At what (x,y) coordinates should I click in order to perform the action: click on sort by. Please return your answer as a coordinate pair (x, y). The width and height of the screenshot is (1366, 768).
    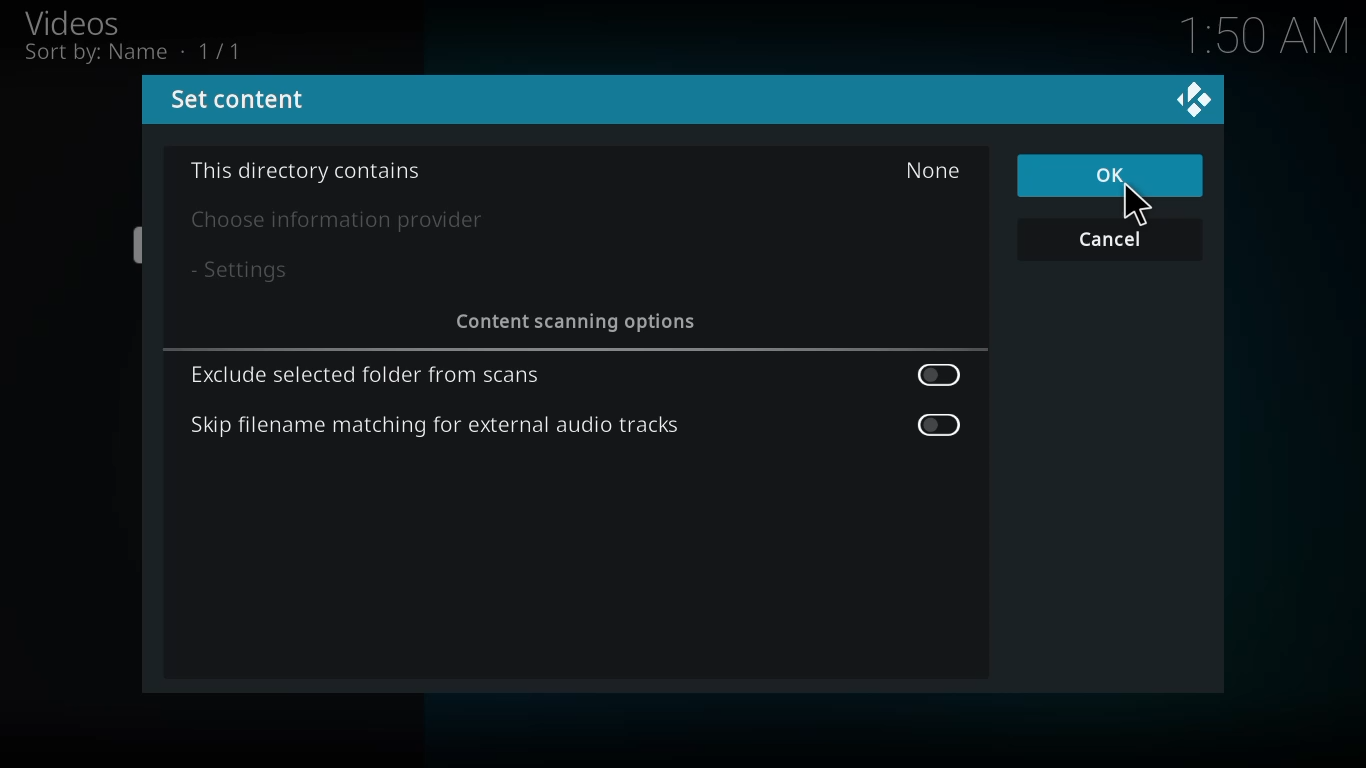
    Looking at the image, I should click on (152, 51).